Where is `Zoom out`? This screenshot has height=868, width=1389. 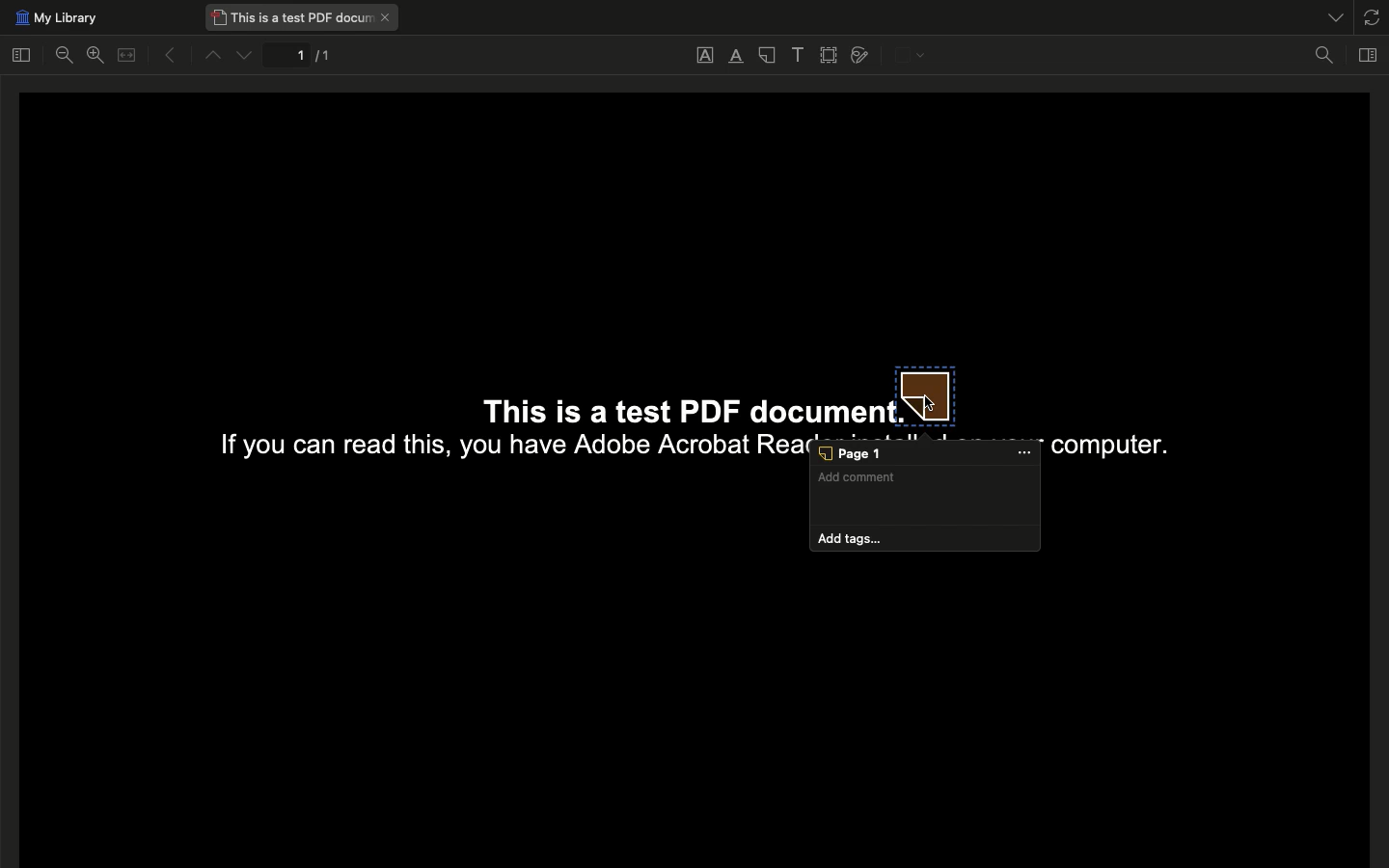 Zoom out is located at coordinates (68, 58).